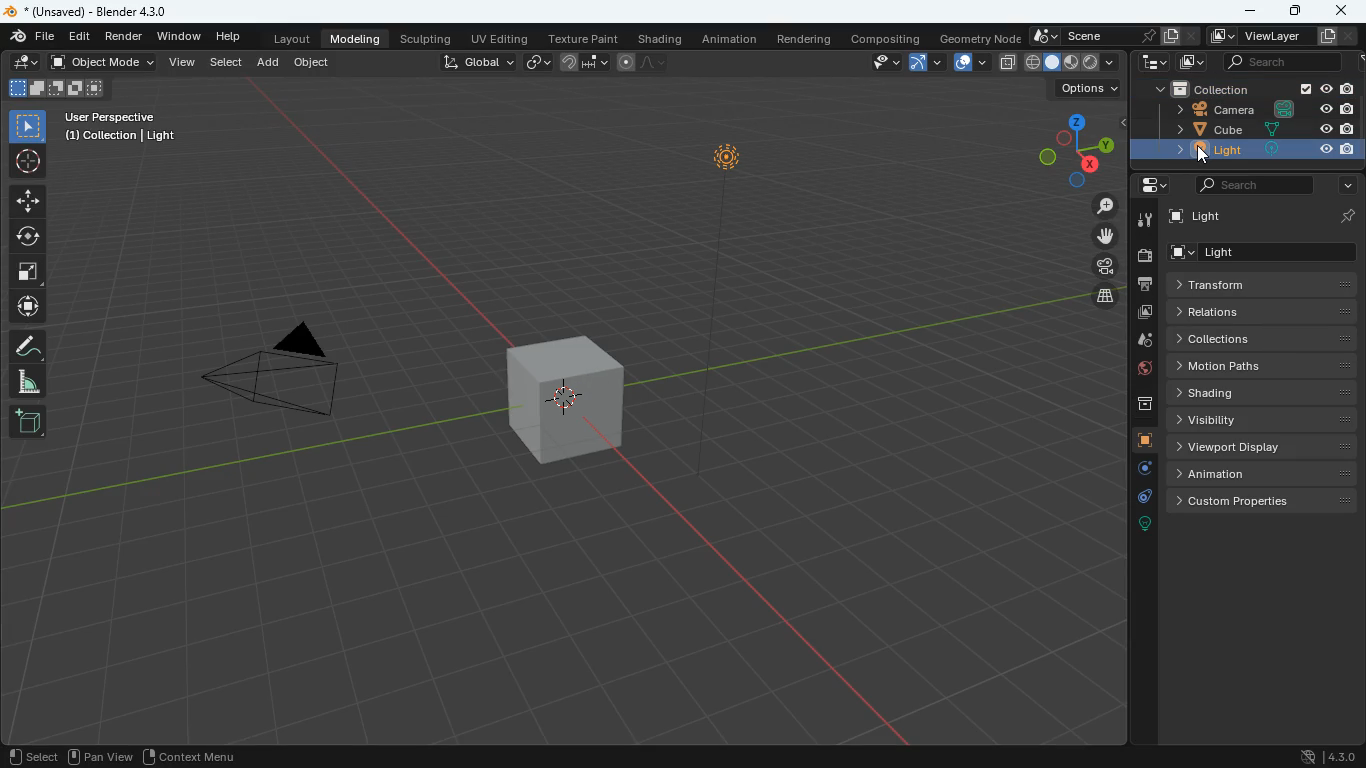 Image resolution: width=1366 pixels, height=768 pixels. I want to click on close, so click(1340, 9).